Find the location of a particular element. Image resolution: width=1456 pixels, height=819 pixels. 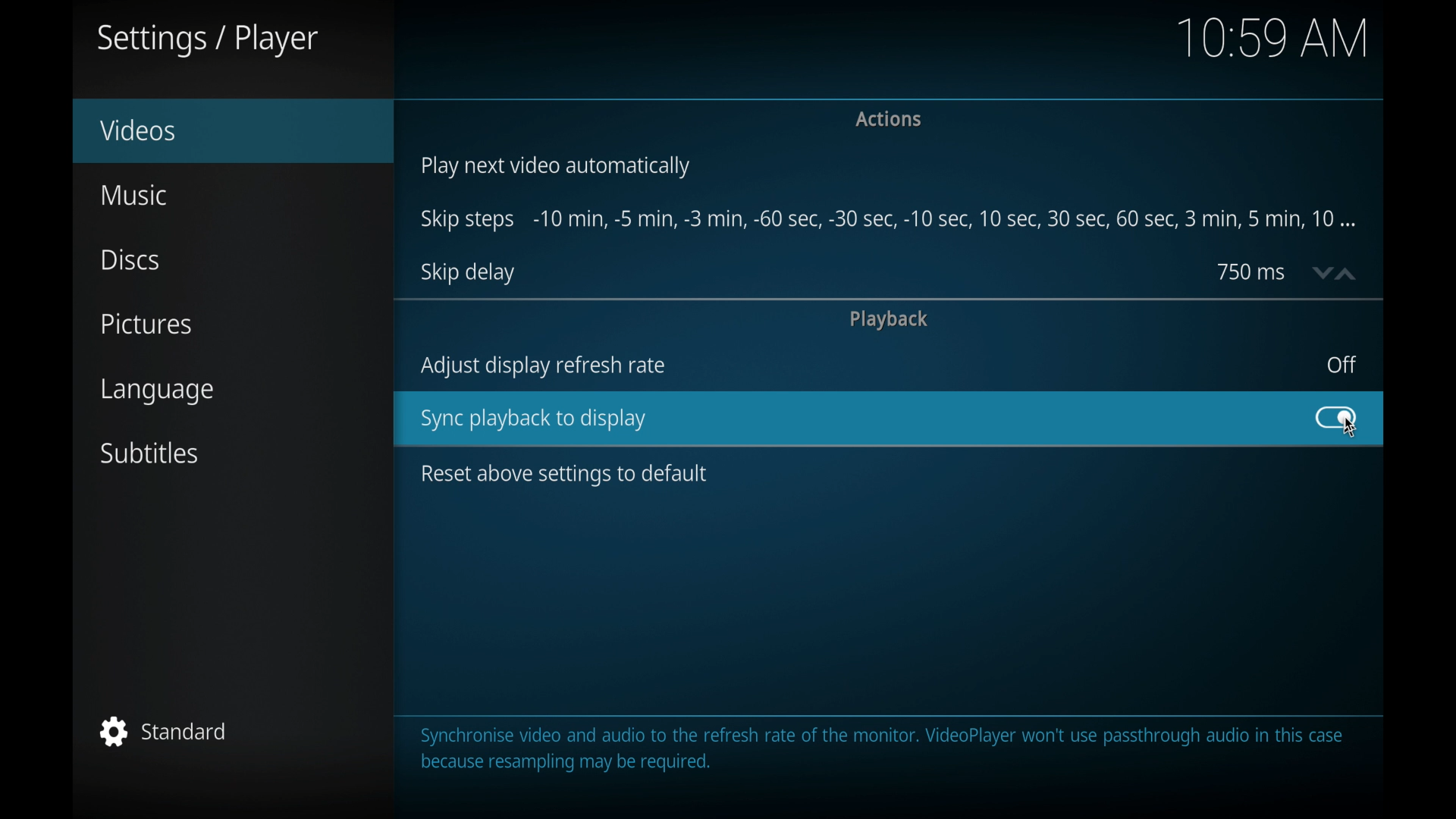

Synchronise video and audio to the refresh rate of the monitor. VideoPlayer won't use passthrough audio in this casebecause resampling may be required. is located at coordinates (880, 750).